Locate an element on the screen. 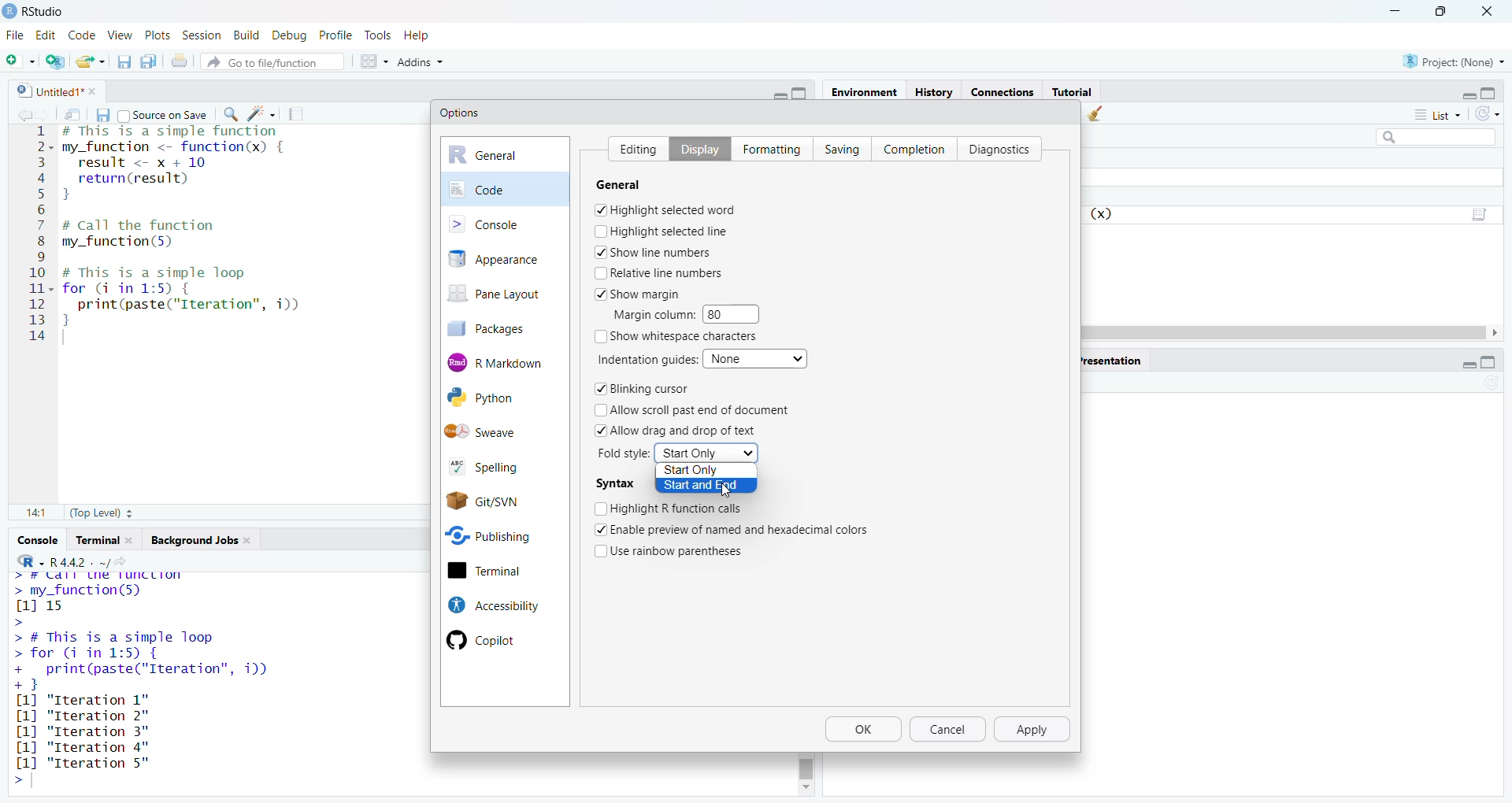 This screenshot has width=1512, height=803. scrollbar is located at coordinates (807, 766).